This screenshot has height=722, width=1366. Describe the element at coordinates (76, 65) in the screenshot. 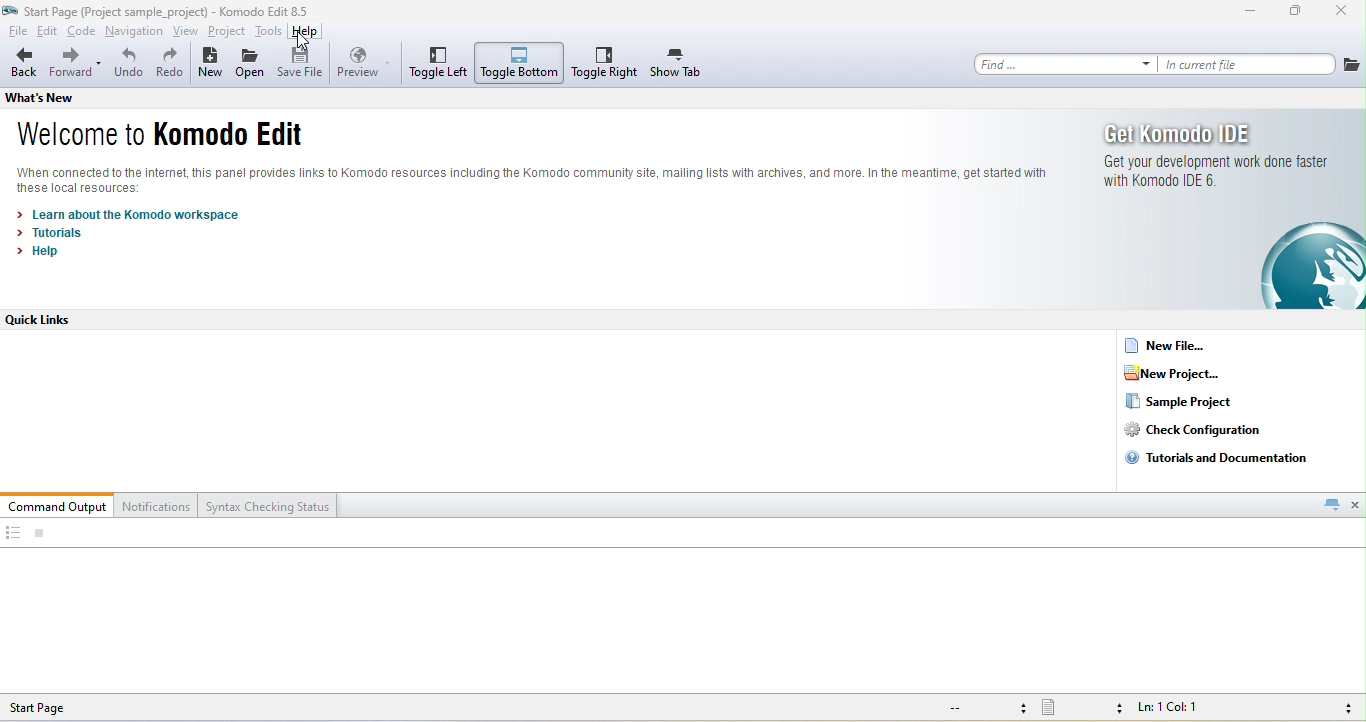

I see `forward` at that location.